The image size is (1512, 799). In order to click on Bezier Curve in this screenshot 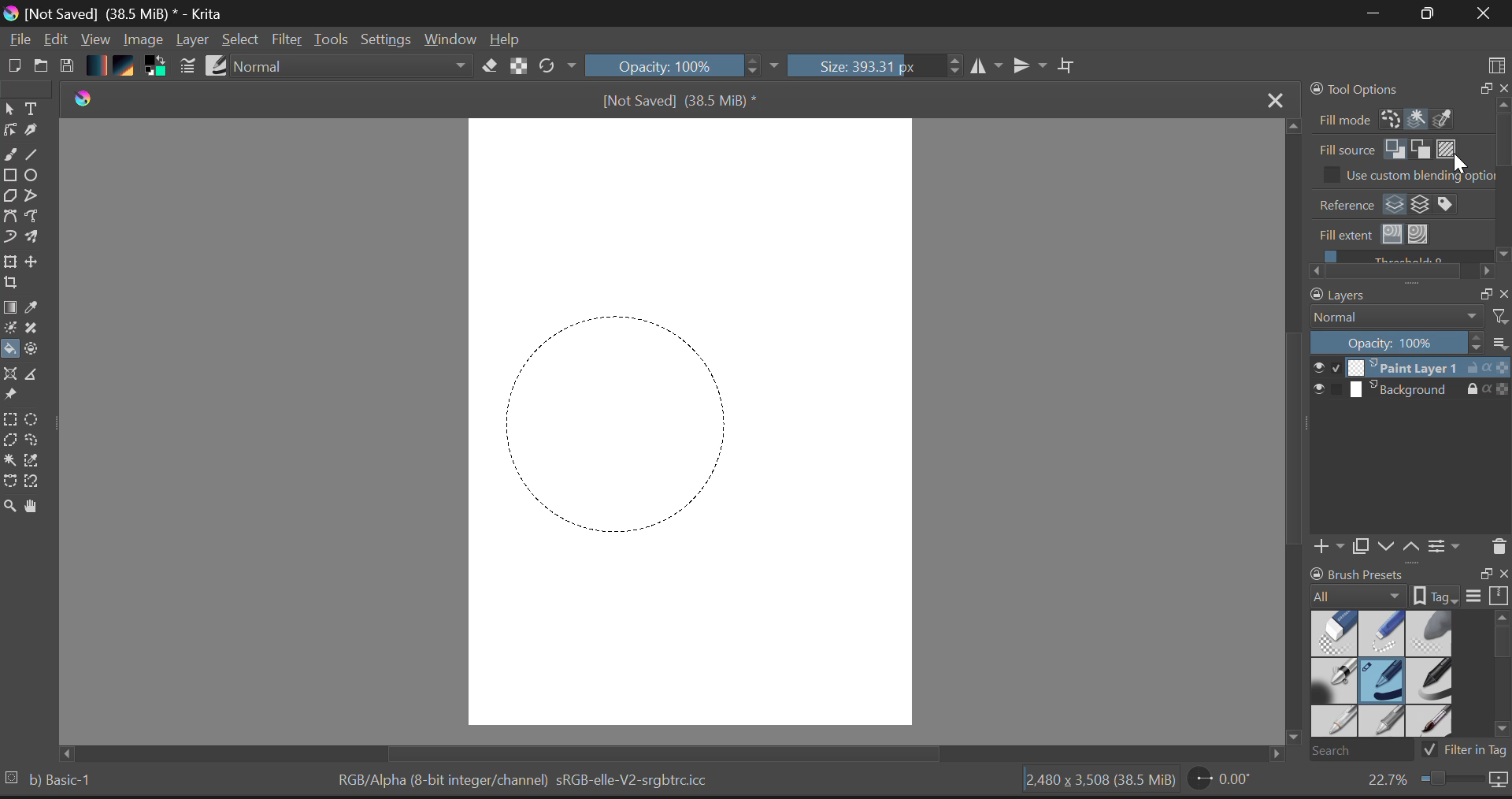, I will do `click(11, 217)`.